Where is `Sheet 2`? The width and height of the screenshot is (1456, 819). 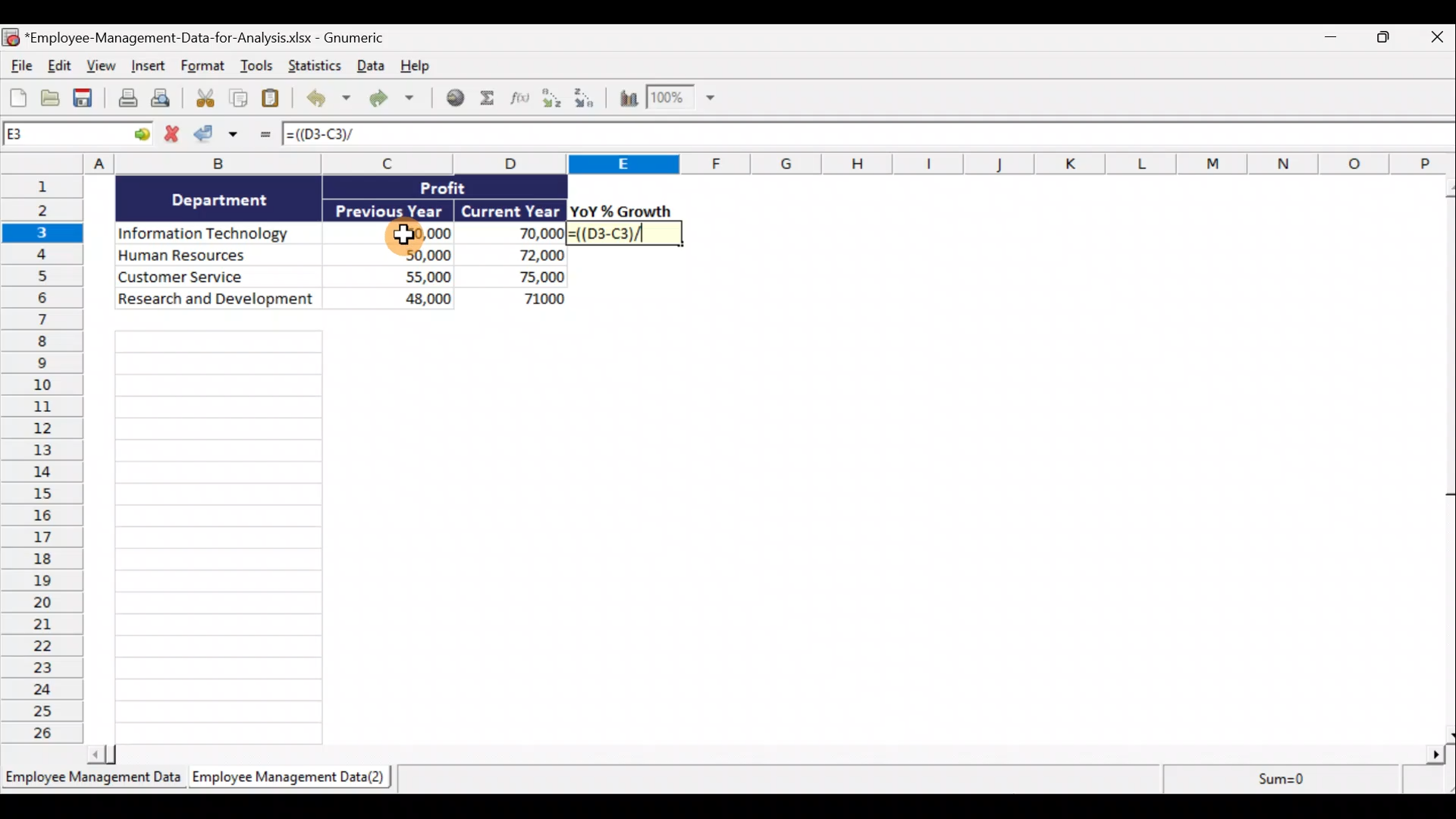
Sheet 2 is located at coordinates (284, 778).